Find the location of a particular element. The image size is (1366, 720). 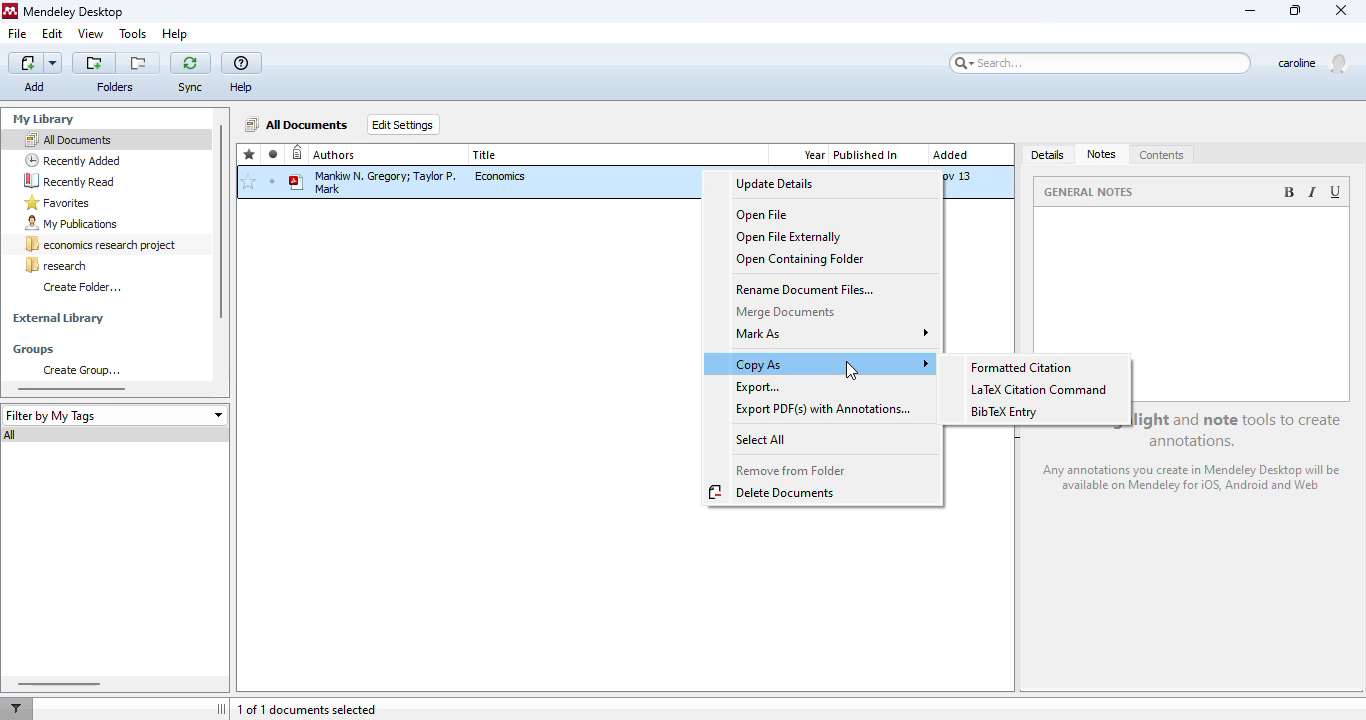

formatted citation is located at coordinates (1021, 368).